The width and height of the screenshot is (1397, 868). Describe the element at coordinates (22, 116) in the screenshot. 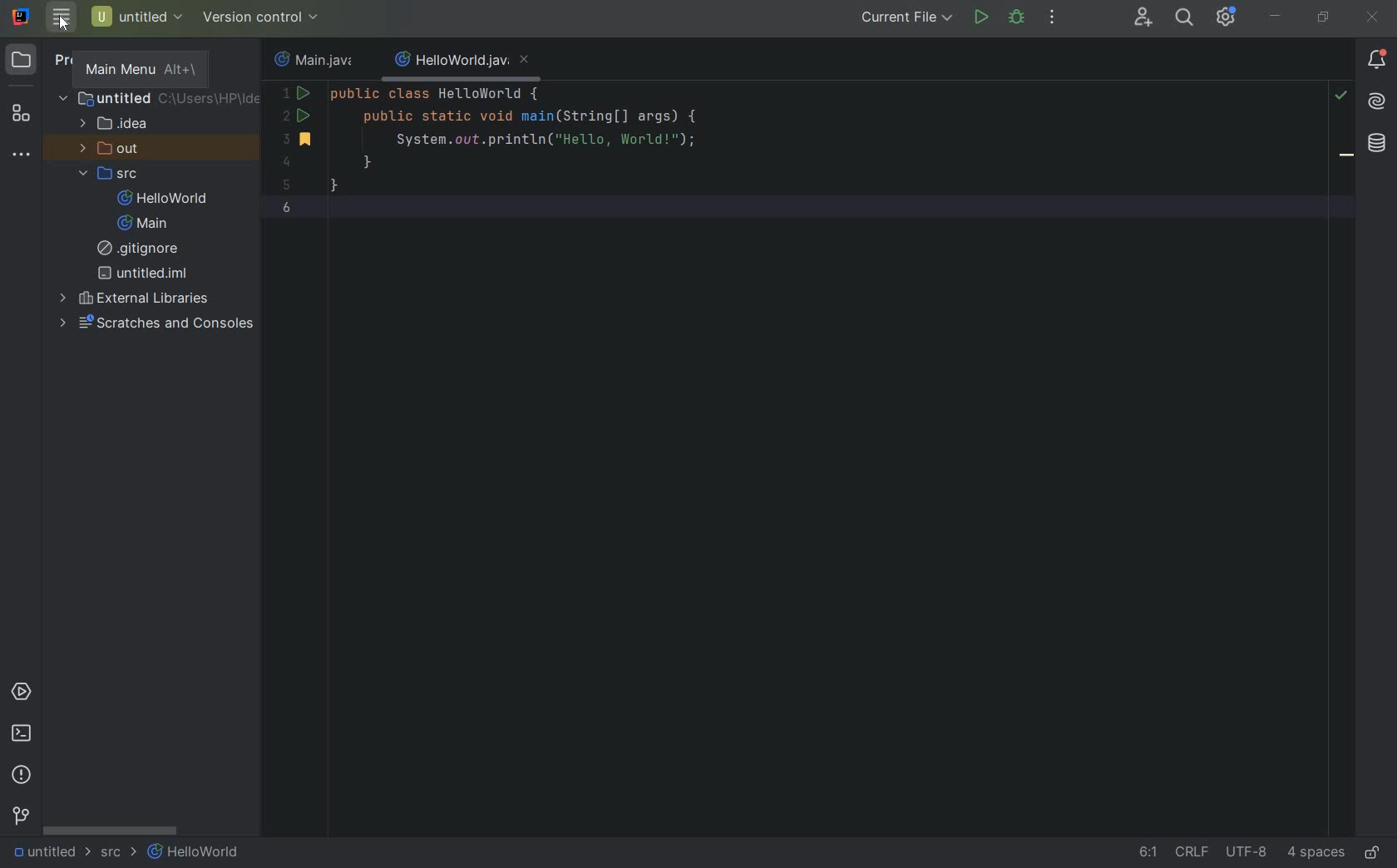

I see `Structure` at that location.